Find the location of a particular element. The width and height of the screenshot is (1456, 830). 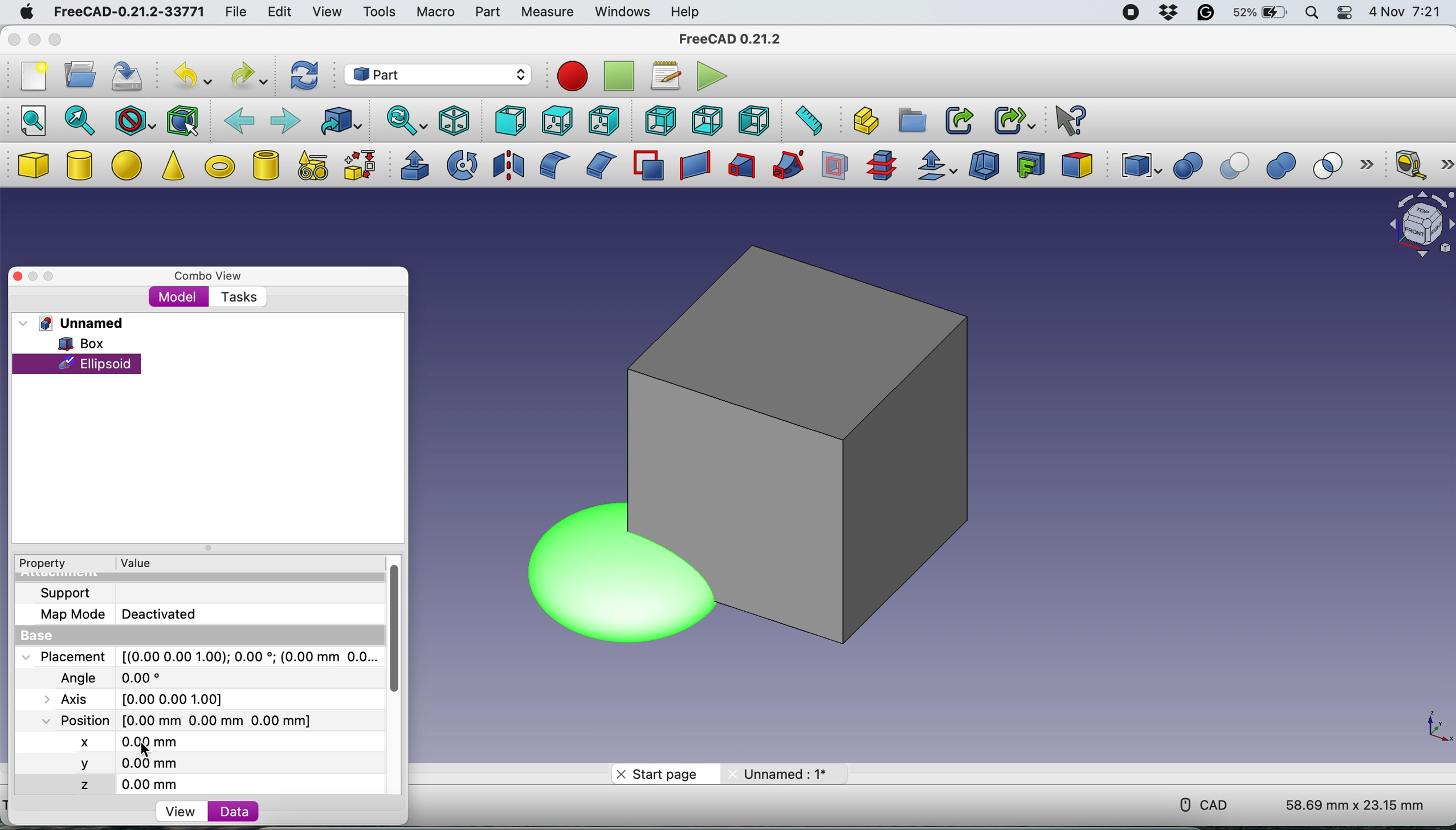

create tube is located at coordinates (265, 165).